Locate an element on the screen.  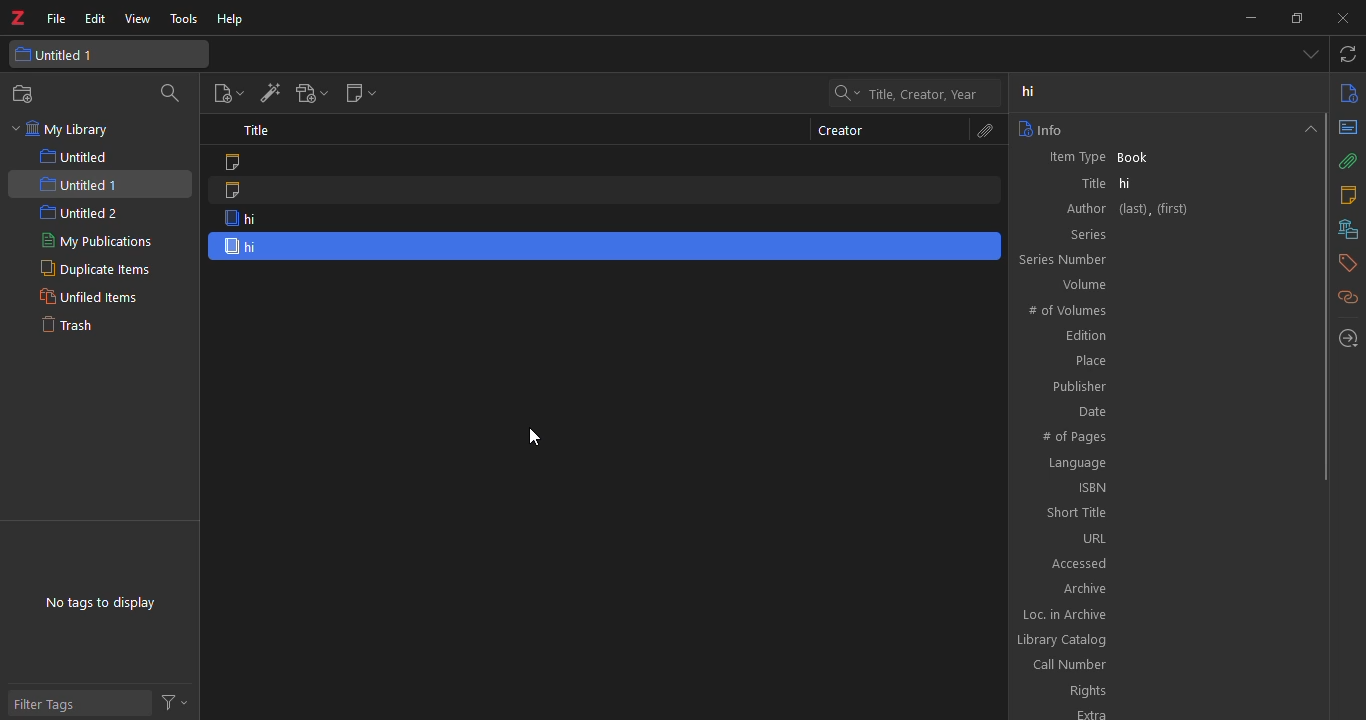
duplicated item is located at coordinates (255, 245).